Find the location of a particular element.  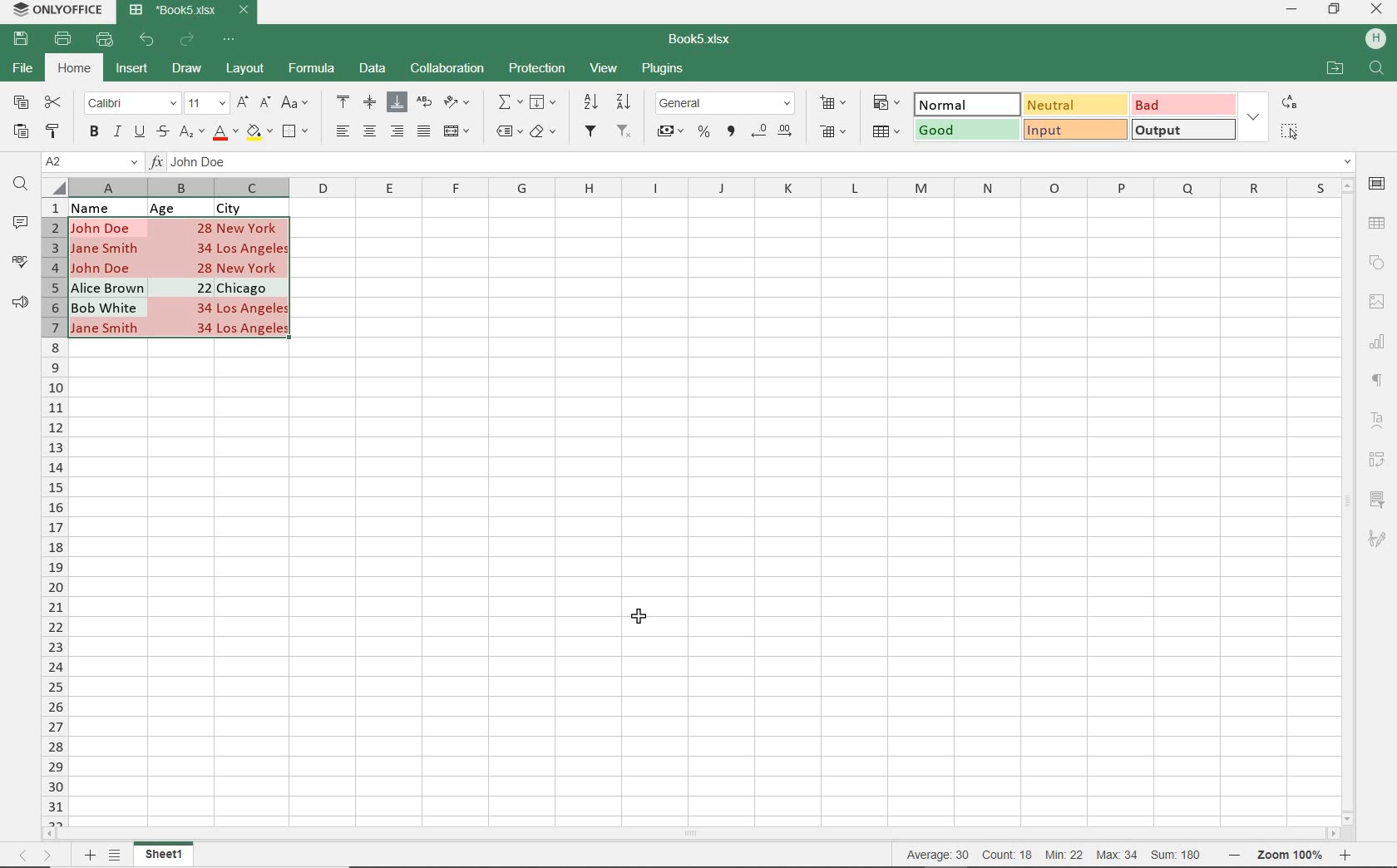

COMMENTS is located at coordinates (23, 223).